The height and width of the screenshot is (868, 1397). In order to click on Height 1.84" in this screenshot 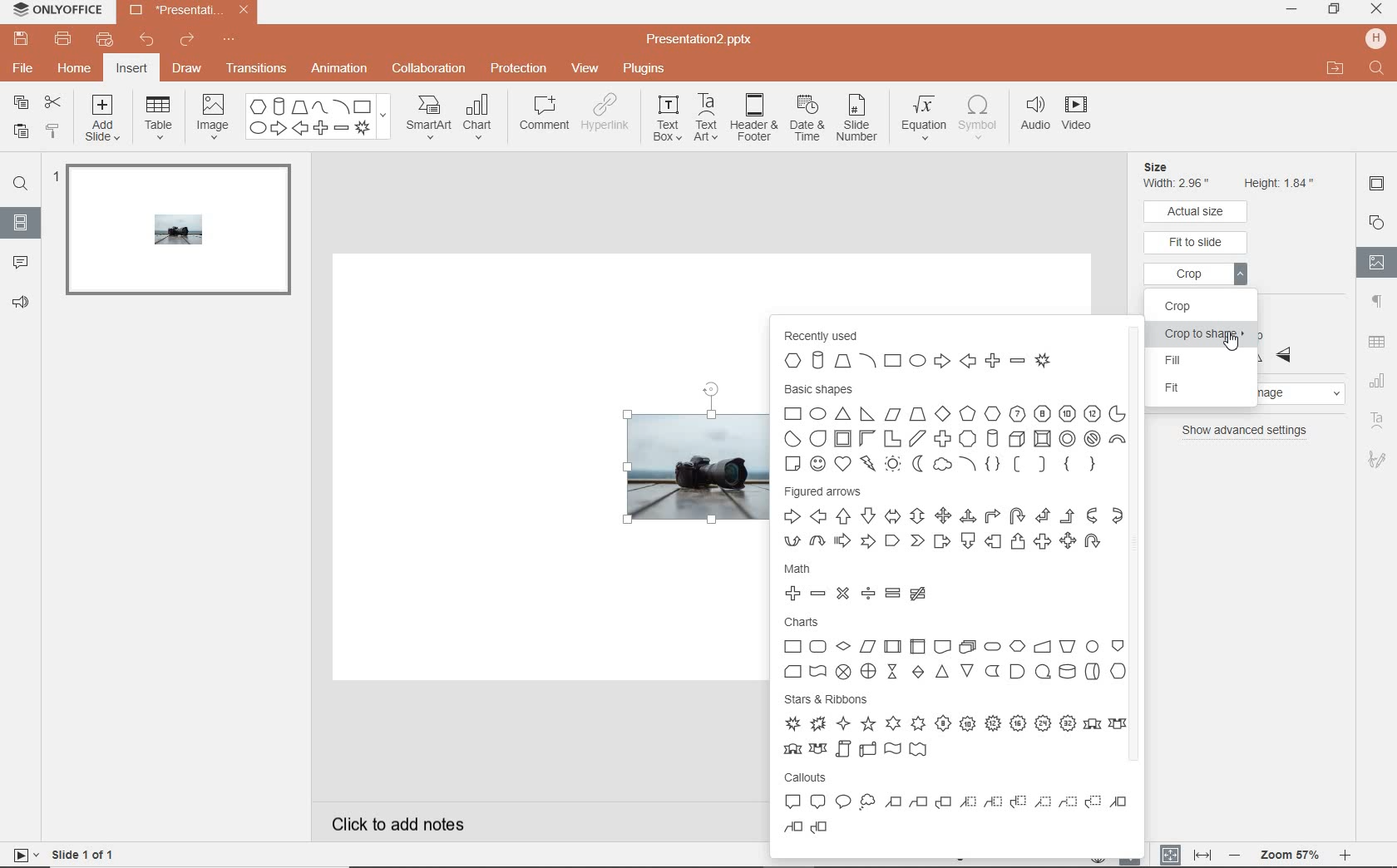, I will do `click(1281, 181)`.